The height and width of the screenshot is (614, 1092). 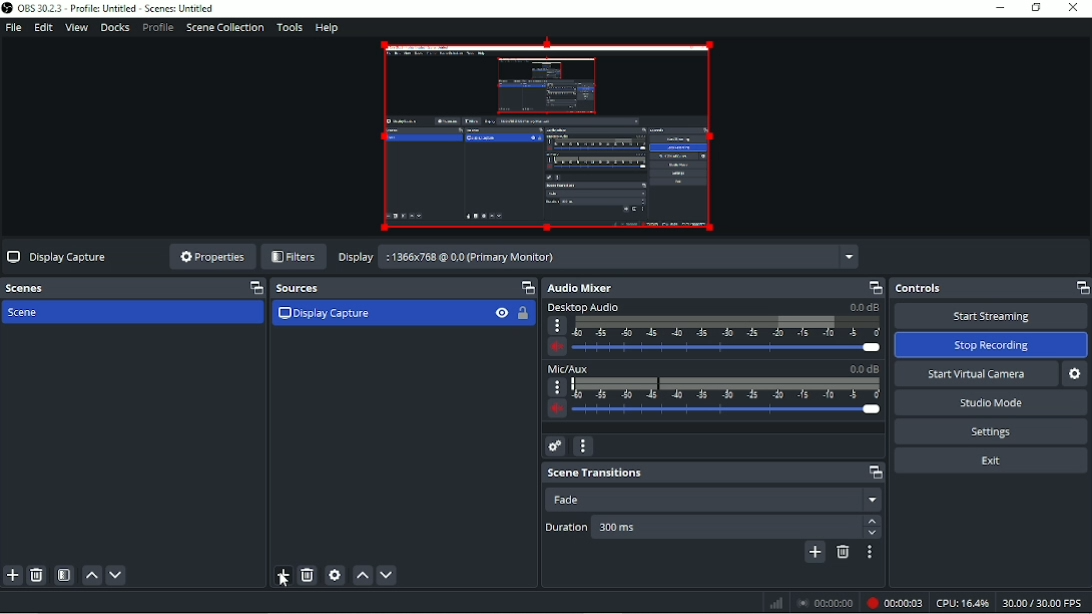 I want to click on Scenes, so click(x=133, y=287).